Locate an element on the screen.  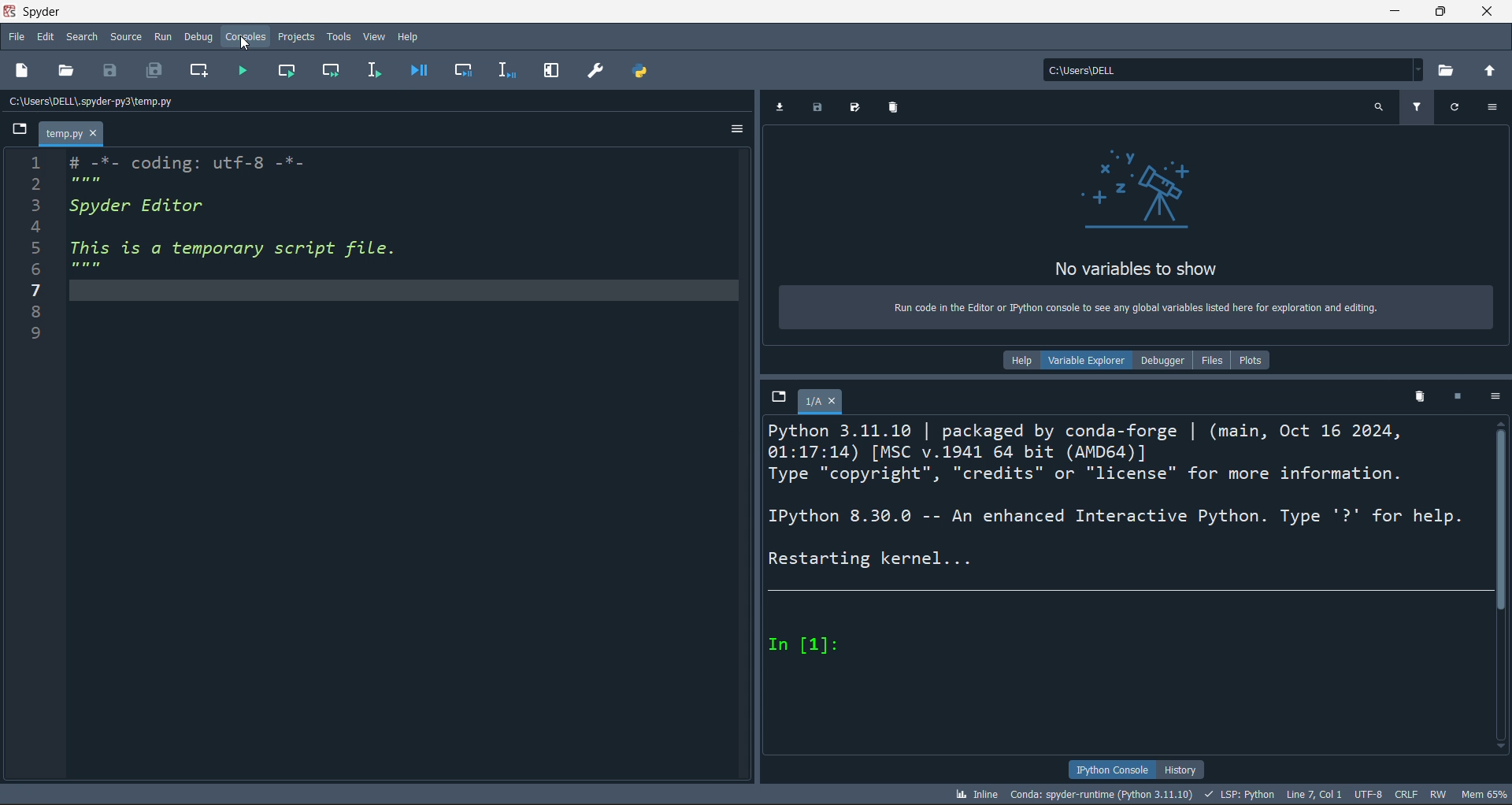
temp.py is located at coordinates (69, 132).